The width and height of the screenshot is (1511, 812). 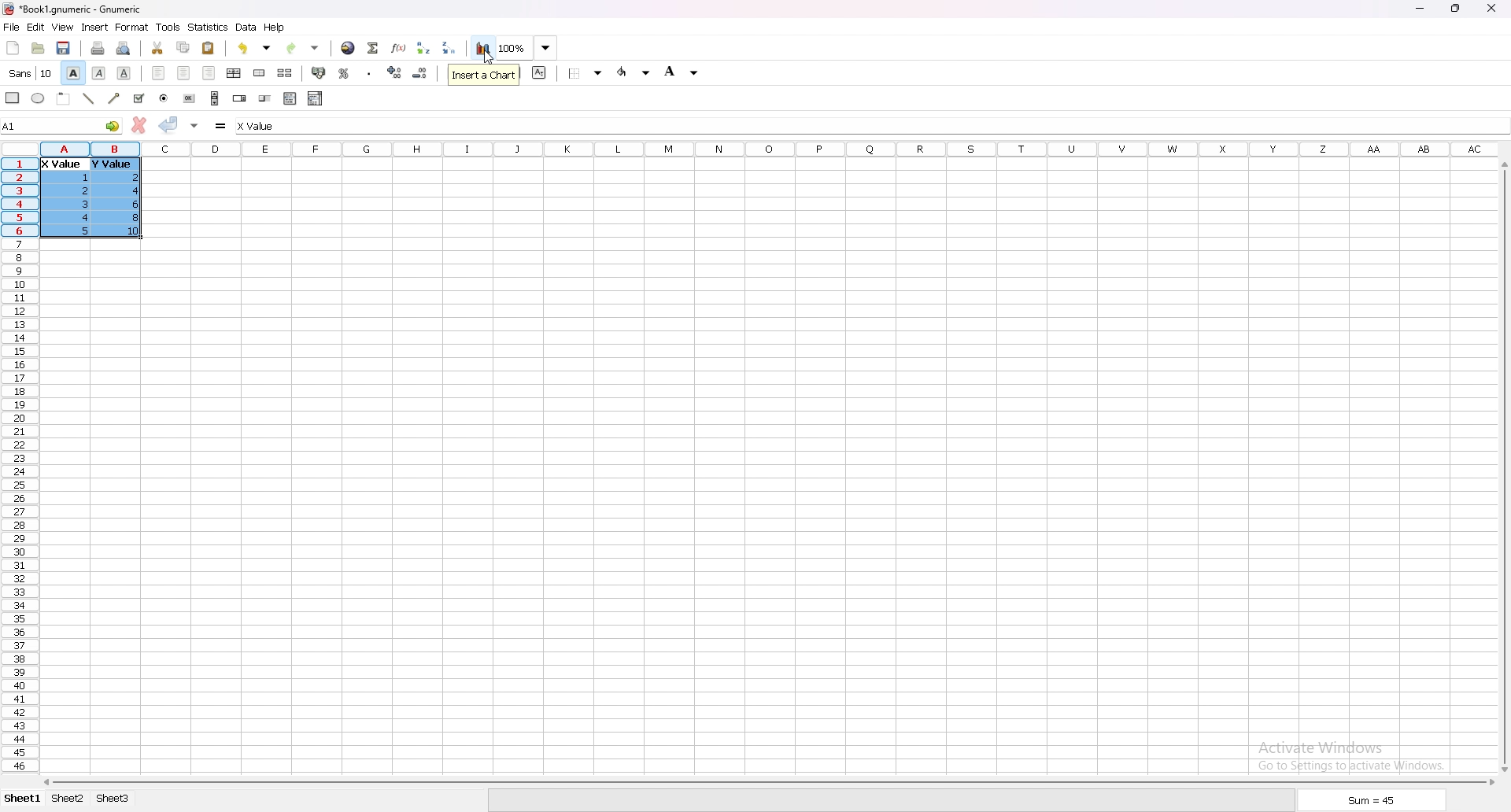 What do you see at coordinates (344, 73) in the screenshot?
I see `percentage` at bounding box center [344, 73].